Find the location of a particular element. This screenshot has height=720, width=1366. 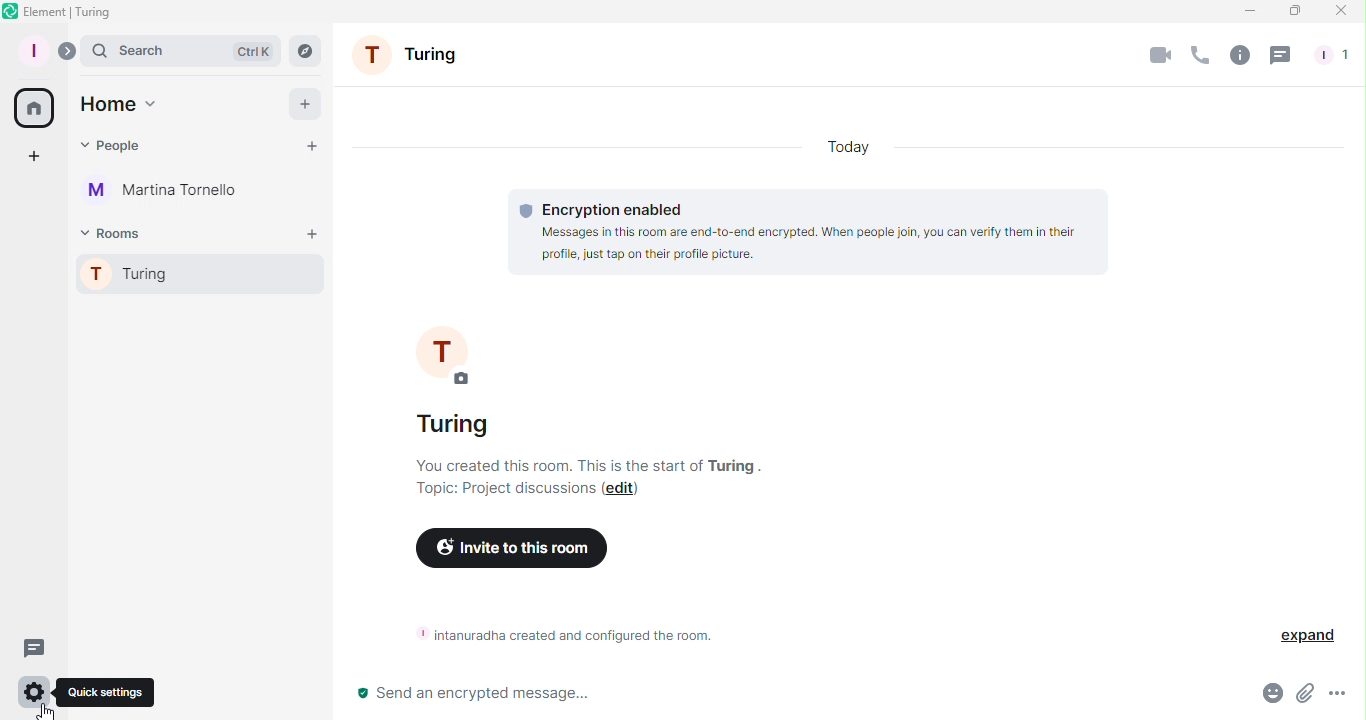

Search bar is located at coordinates (181, 52).